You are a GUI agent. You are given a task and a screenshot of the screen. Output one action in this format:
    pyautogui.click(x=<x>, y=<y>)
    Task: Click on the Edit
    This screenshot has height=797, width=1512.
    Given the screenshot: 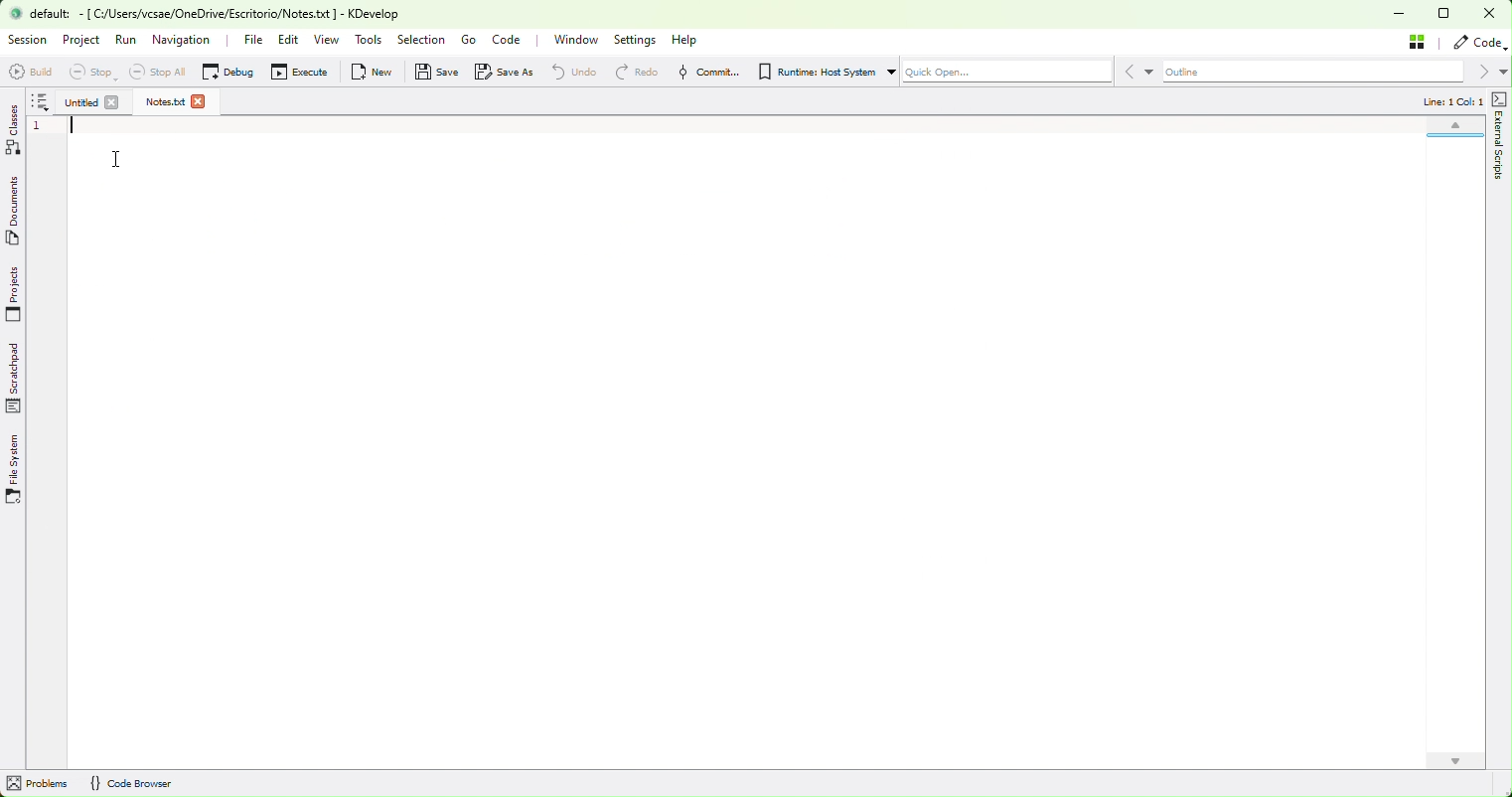 What is the action you would take?
    pyautogui.click(x=288, y=42)
    